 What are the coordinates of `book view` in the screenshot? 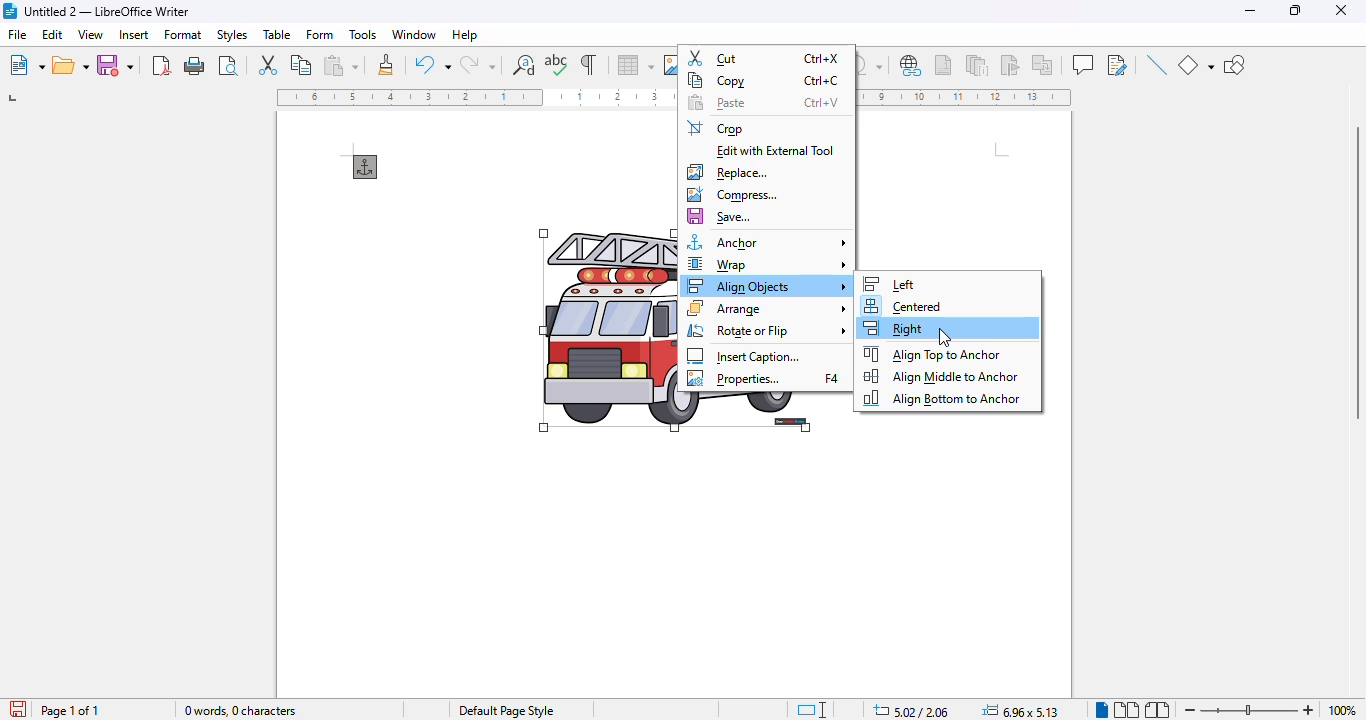 It's located at (1157, 710).